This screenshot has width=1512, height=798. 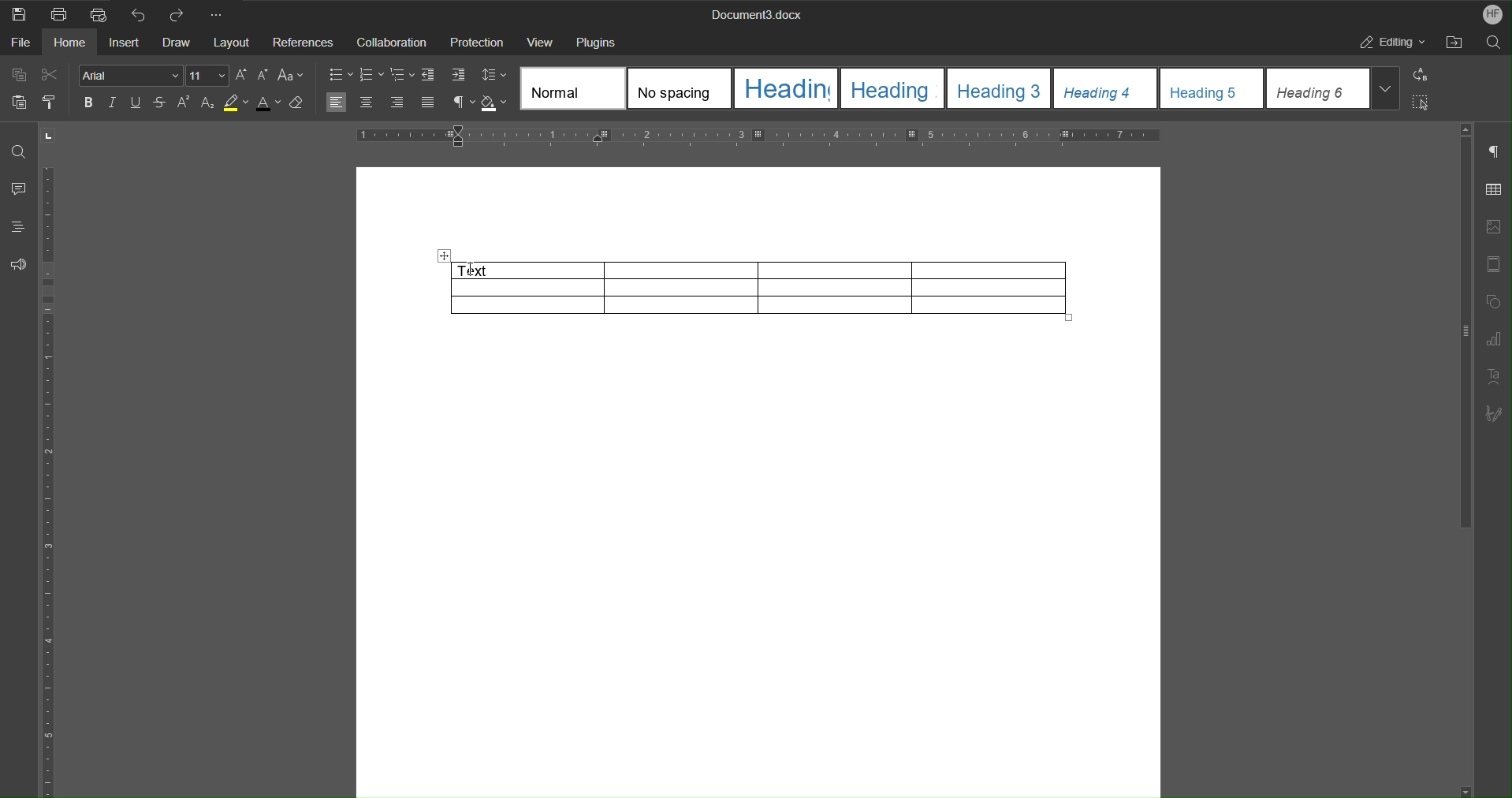 I want to click on References, so click(x=303, y=42).